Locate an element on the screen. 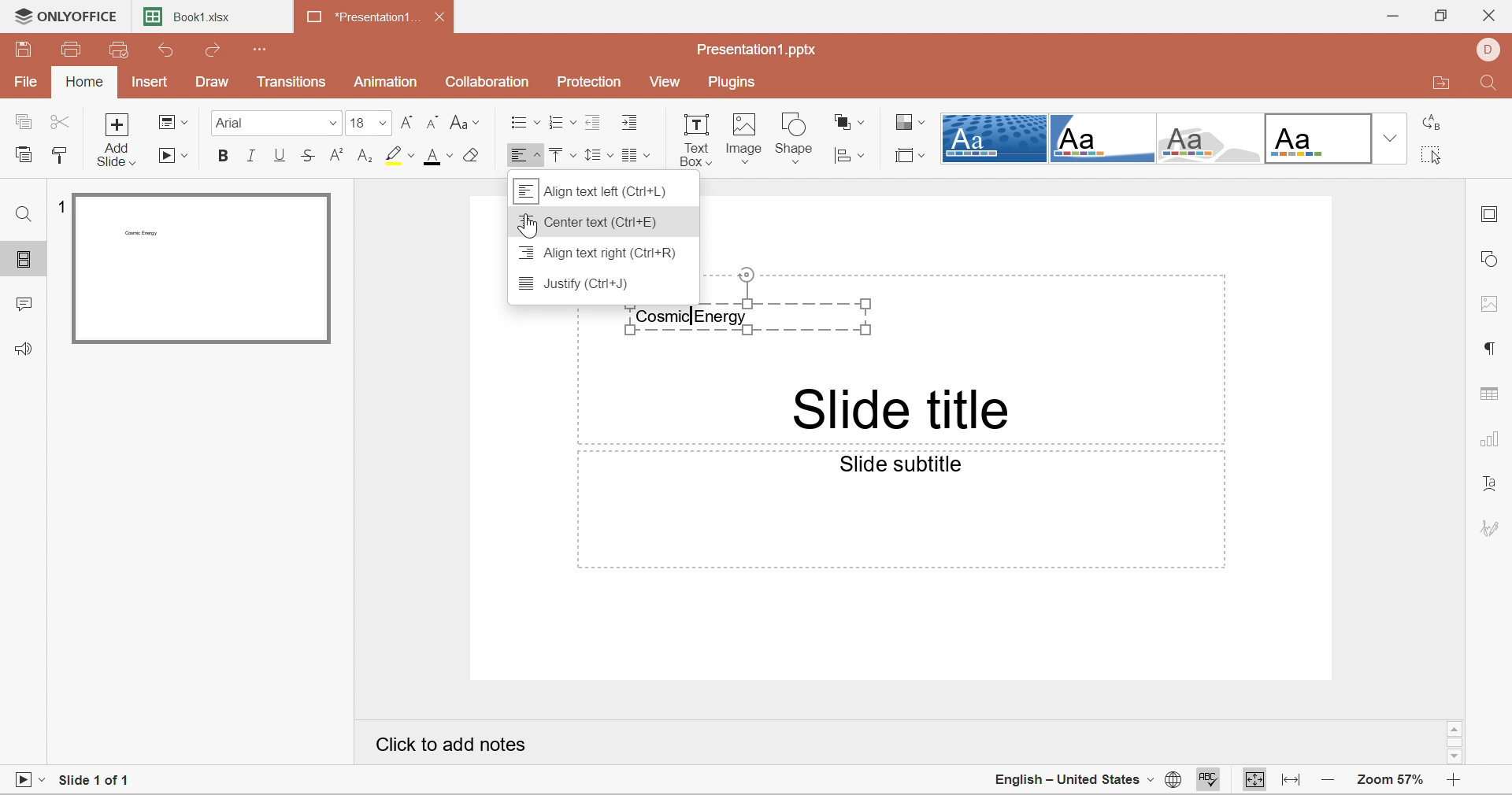 The width and height of the screenshot is (1512, 795). Italic is located at coordinates (251, 157).